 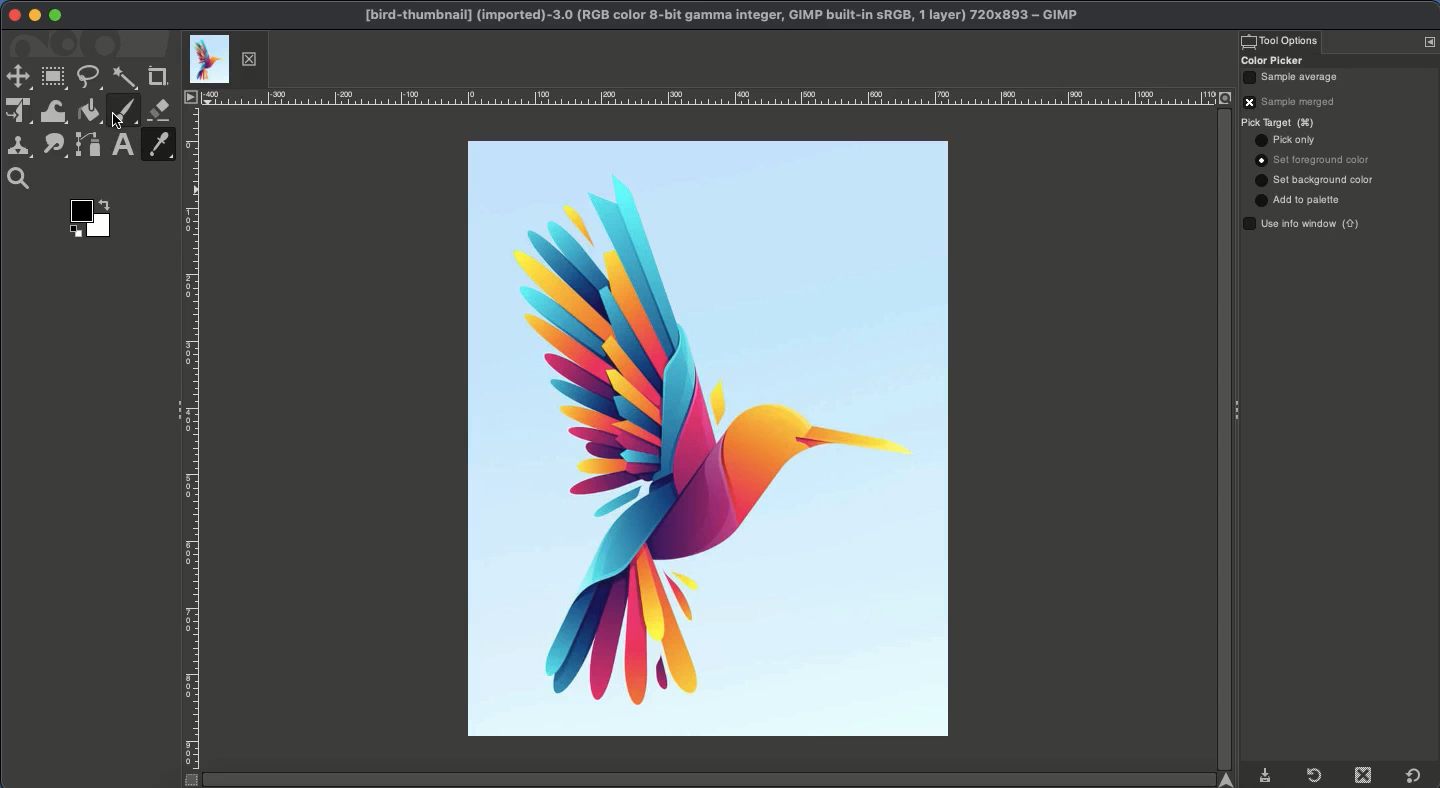 What do you see at coordinates (1313, 775) in the screenshot?
I see `Refresh` at bounding box center [1313, 775].